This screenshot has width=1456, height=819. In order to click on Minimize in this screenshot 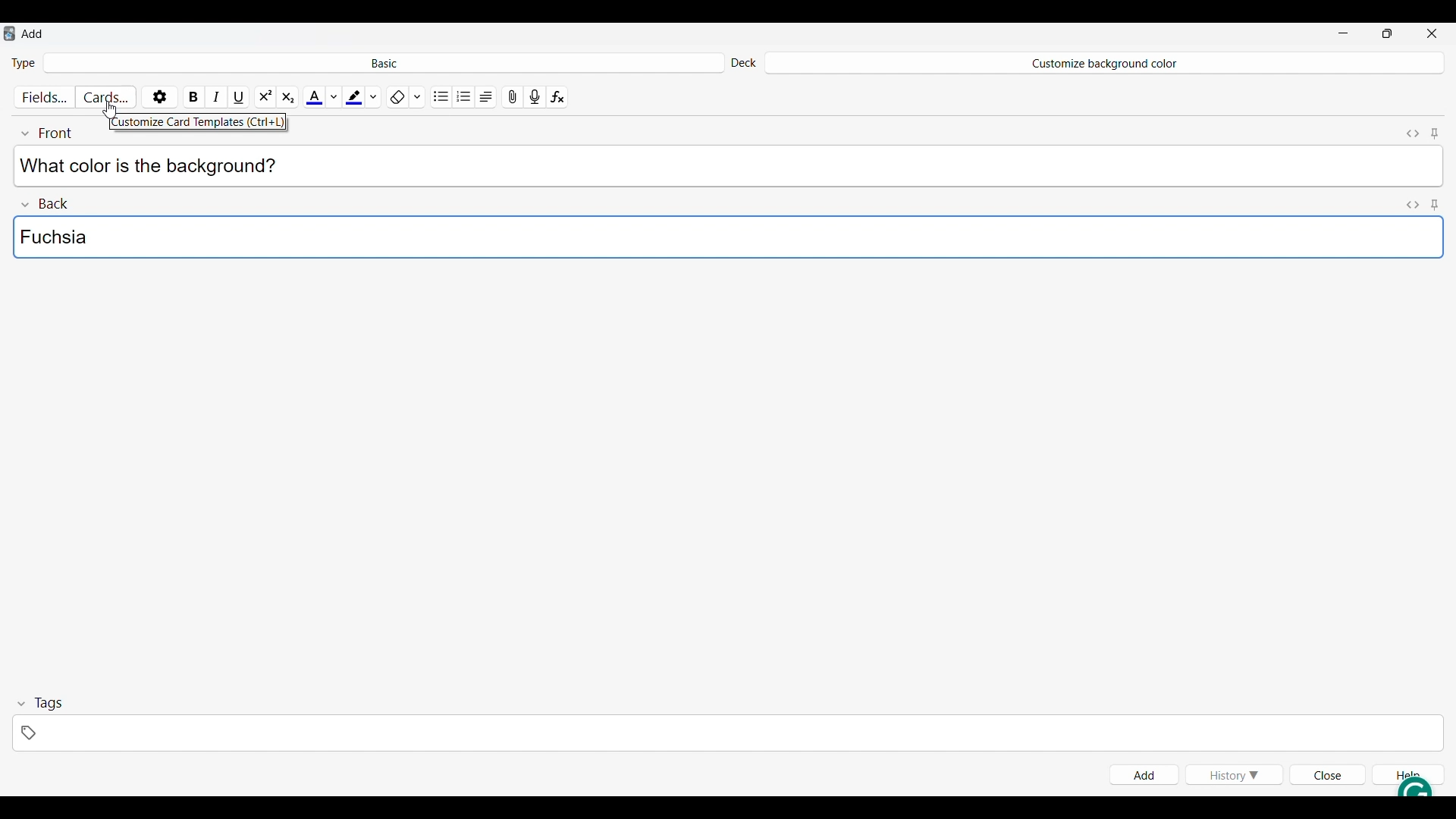, I will do `click(1343, 33)`.